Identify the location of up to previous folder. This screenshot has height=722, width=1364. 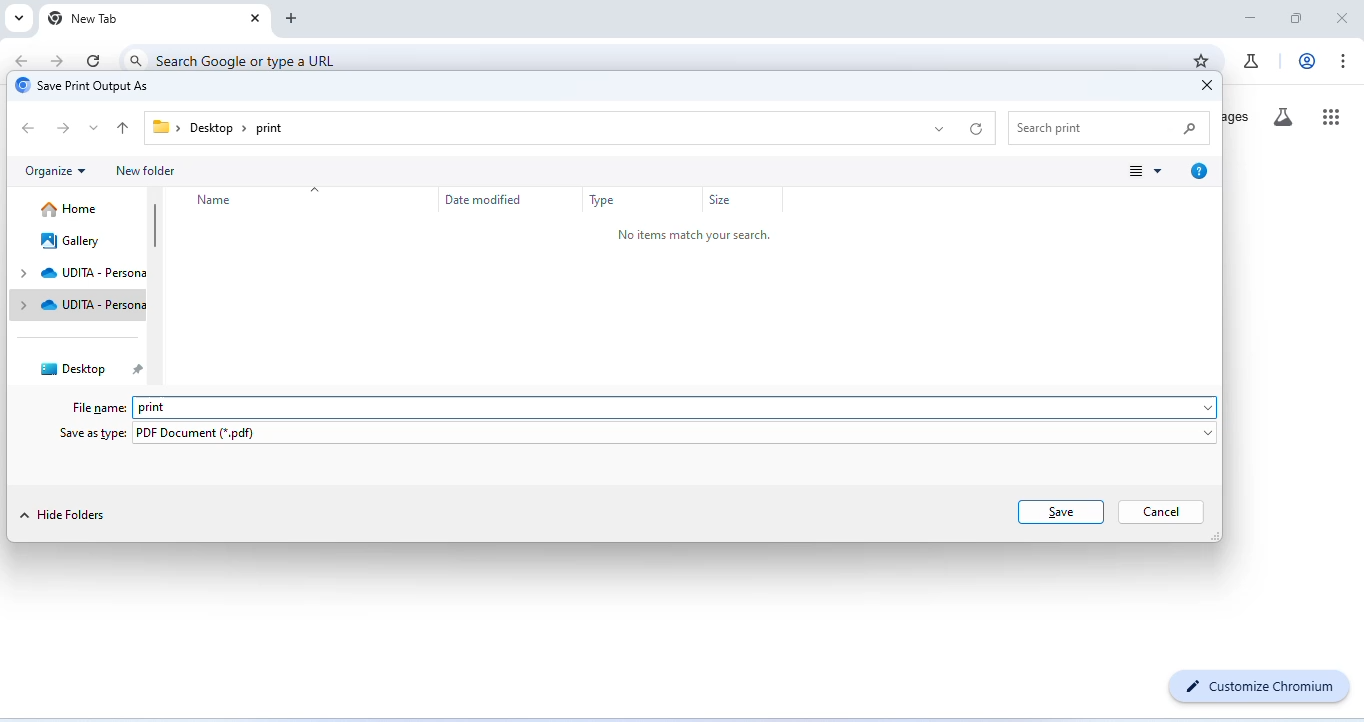
(125, 130).